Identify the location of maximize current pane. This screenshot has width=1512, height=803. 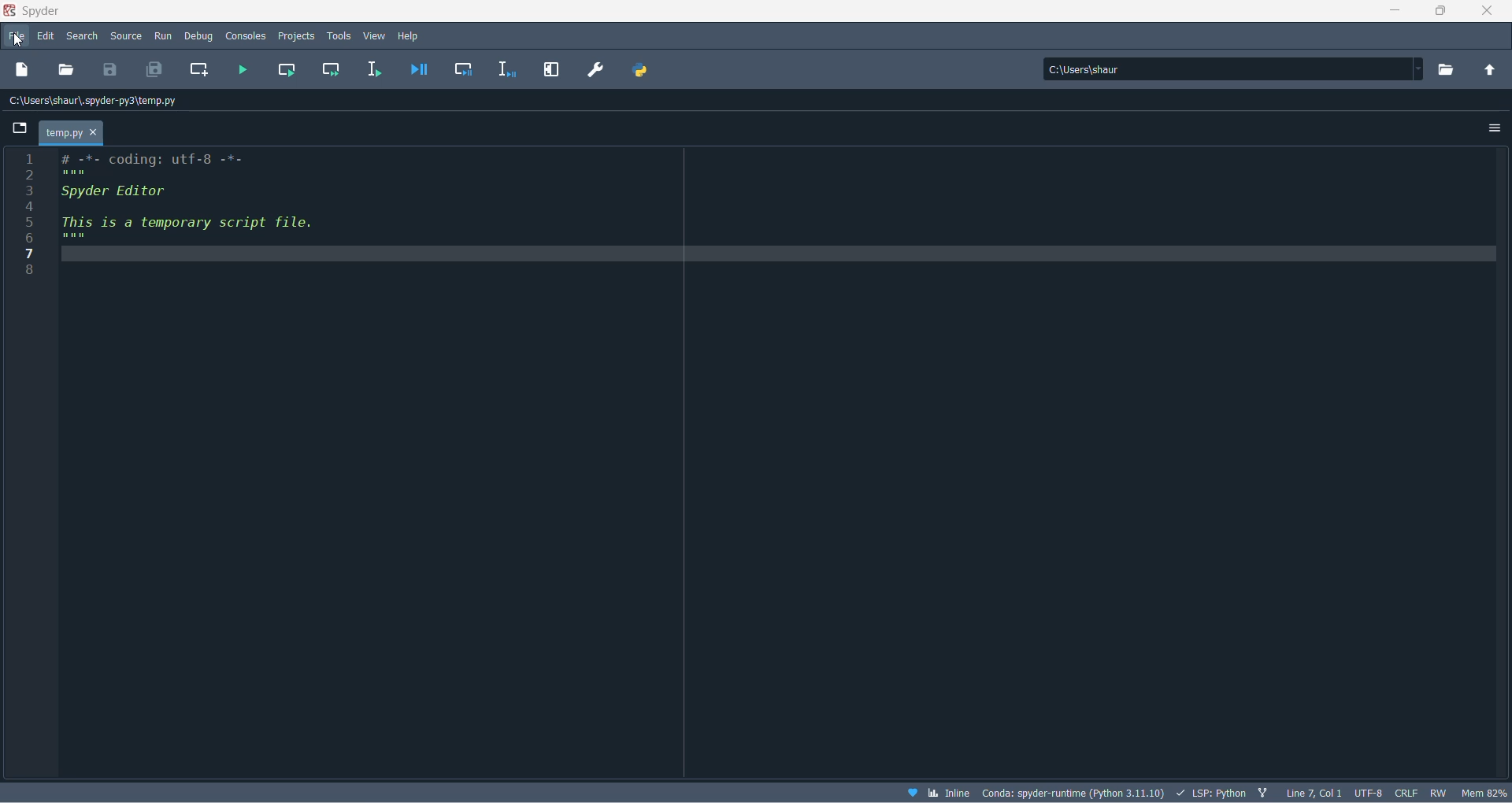
(552, 72).